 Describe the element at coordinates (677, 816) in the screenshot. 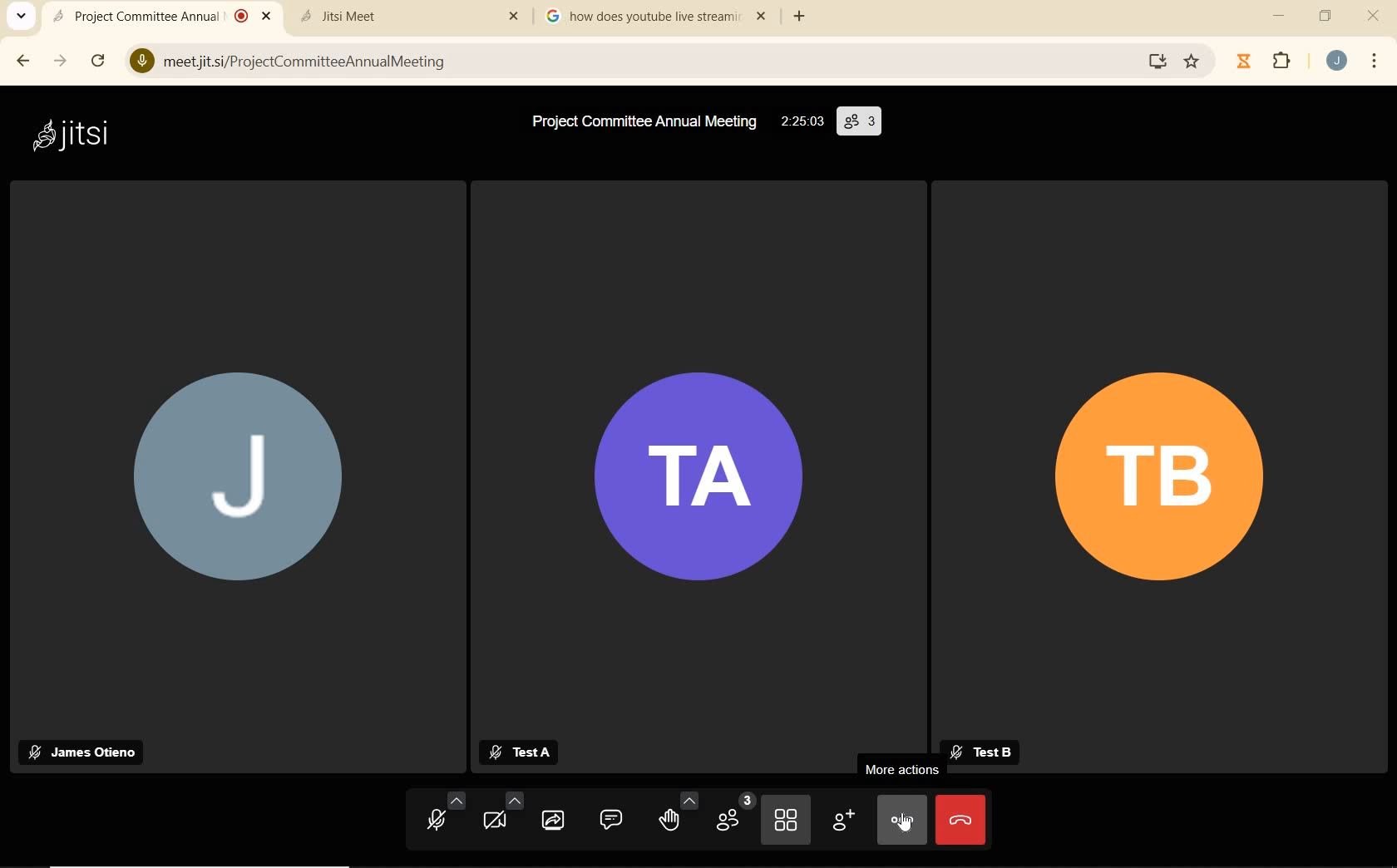

I see `raise hand` at that location.